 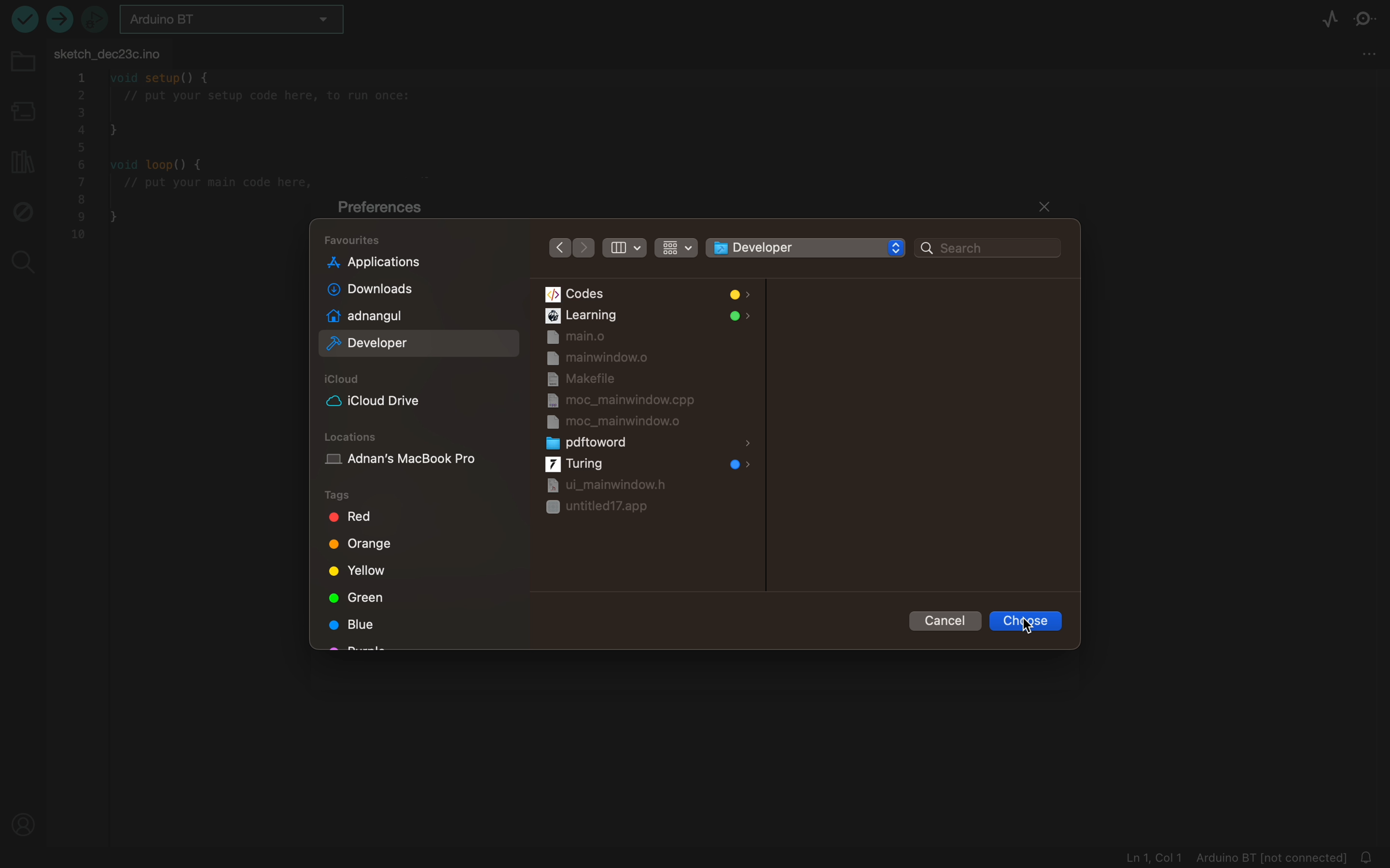 I want to click on moc main window, so click(x=622, y=423).